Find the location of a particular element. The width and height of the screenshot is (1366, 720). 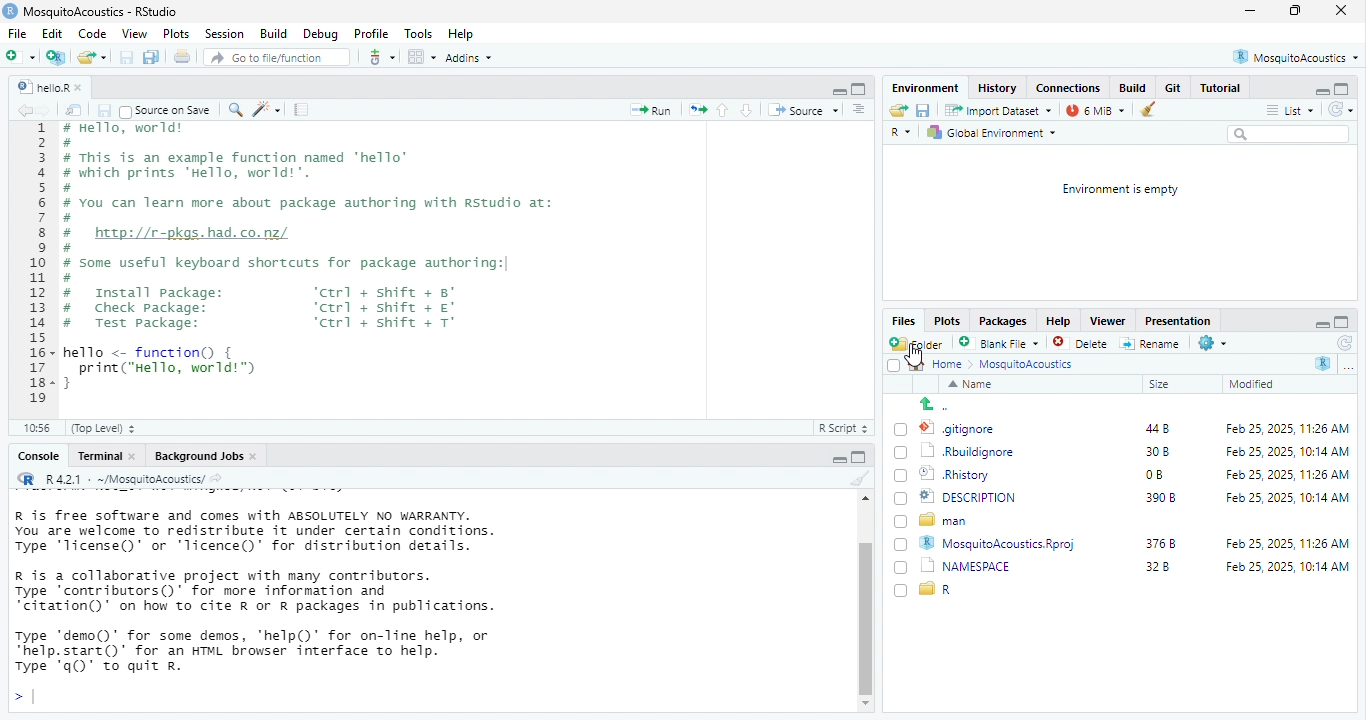

blank file is located at coordinates (999, 343).